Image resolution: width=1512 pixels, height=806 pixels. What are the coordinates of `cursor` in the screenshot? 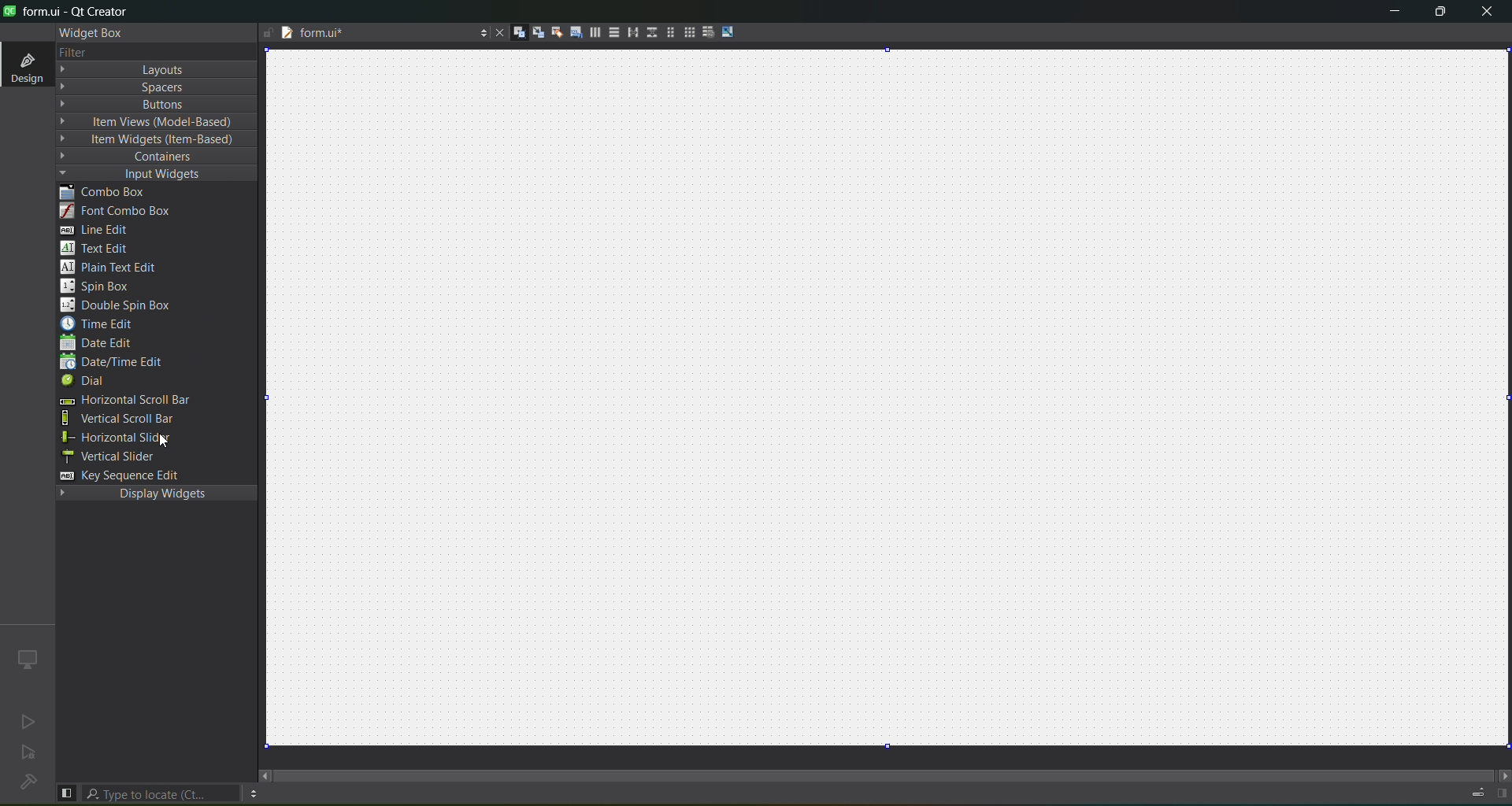 It's located at (162, 441).